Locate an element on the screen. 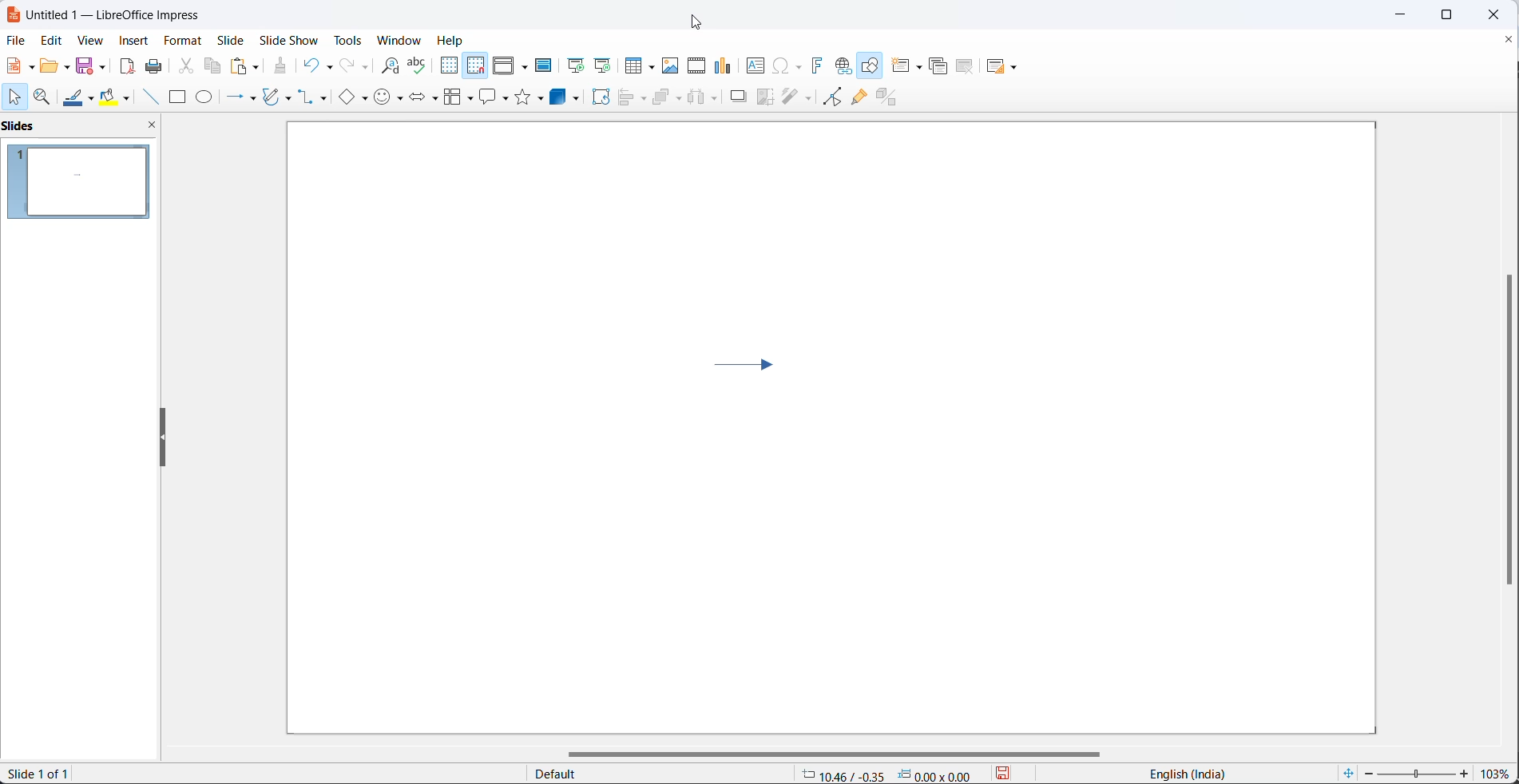  shadow is located at coordinates (737, 100).